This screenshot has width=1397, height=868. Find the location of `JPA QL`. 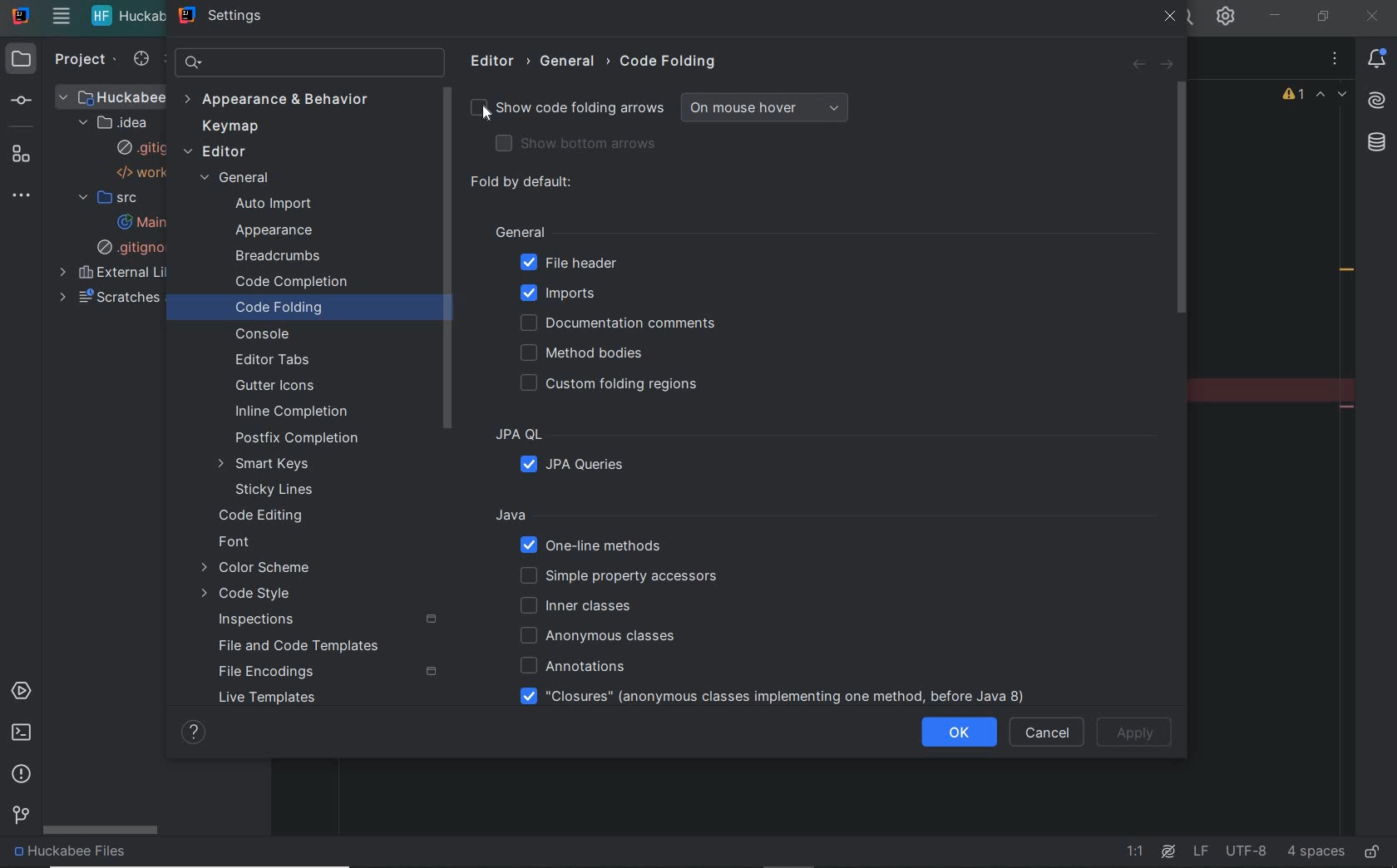

JPA QL is located at coordinates (597, 435).